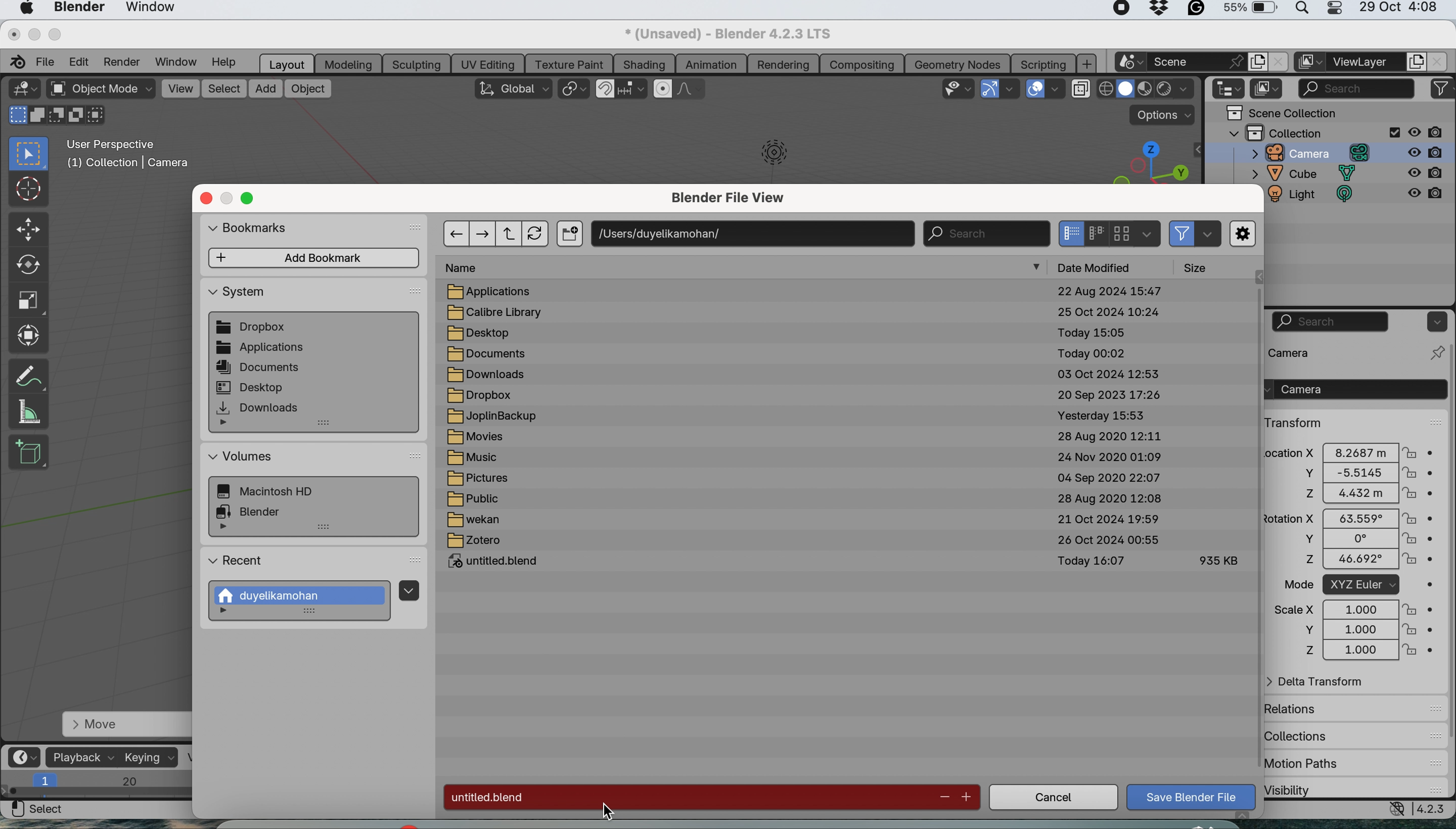 This screenshot has width=1456, height=829. I want to click on scripting, so click(1041, 63).